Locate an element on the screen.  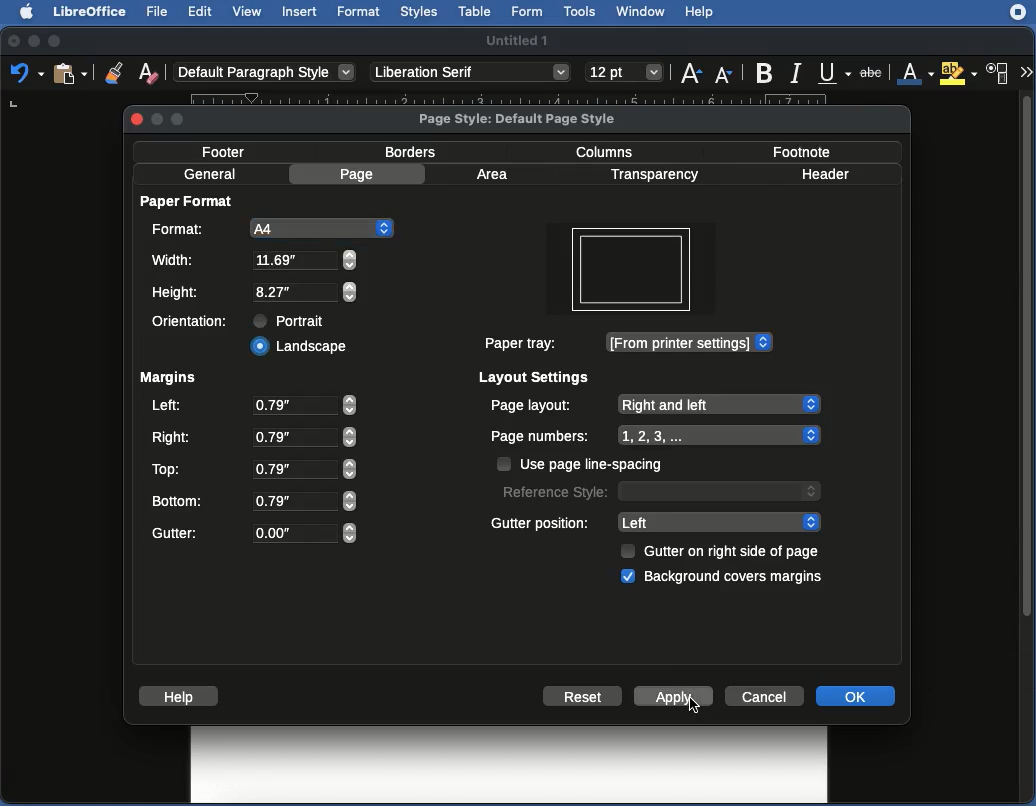
Close is located at coordinates (12, 39).